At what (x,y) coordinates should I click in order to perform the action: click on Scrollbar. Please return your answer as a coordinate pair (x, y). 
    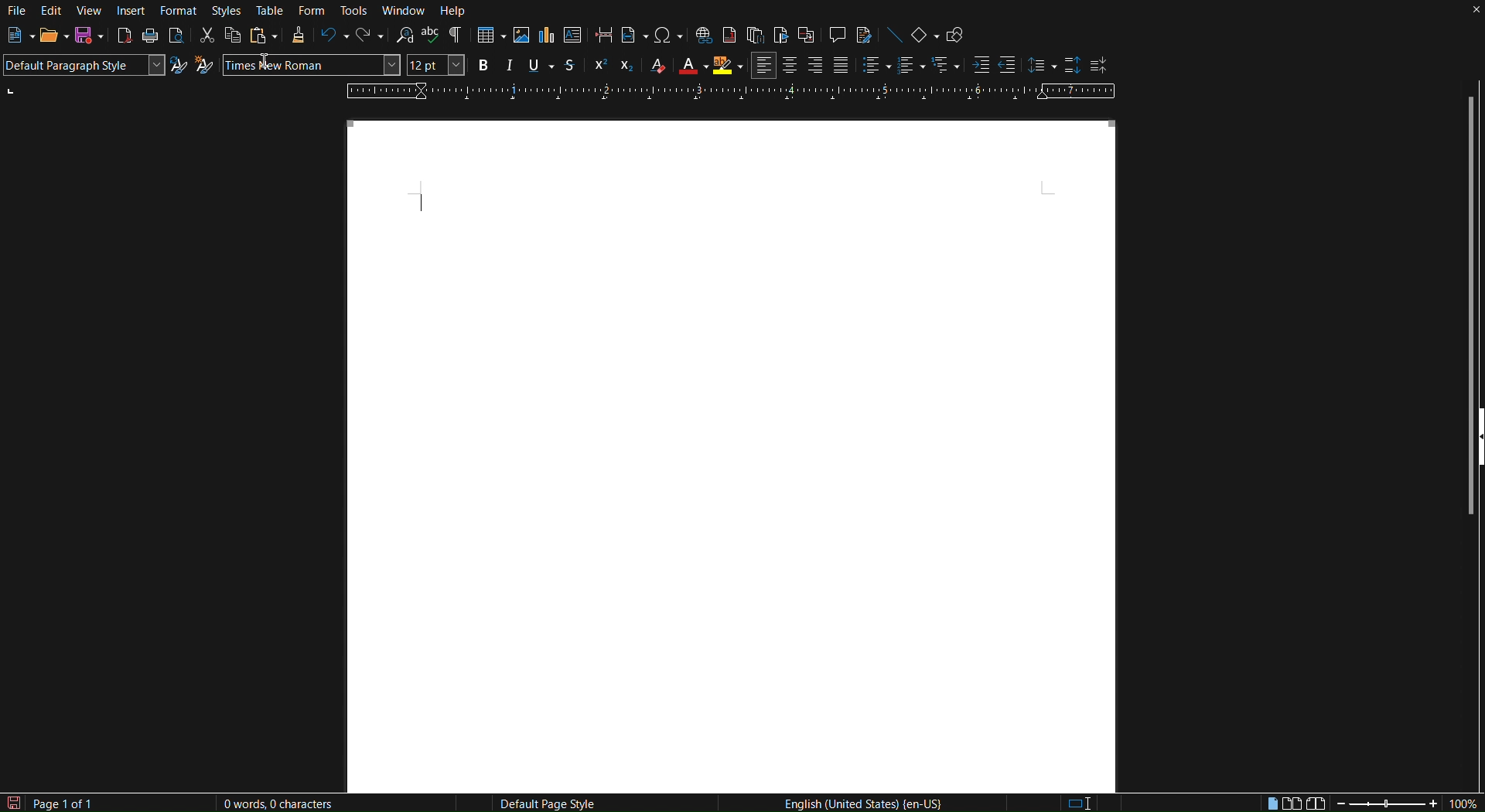
    Looking at the image, I should click on (1472, 239).